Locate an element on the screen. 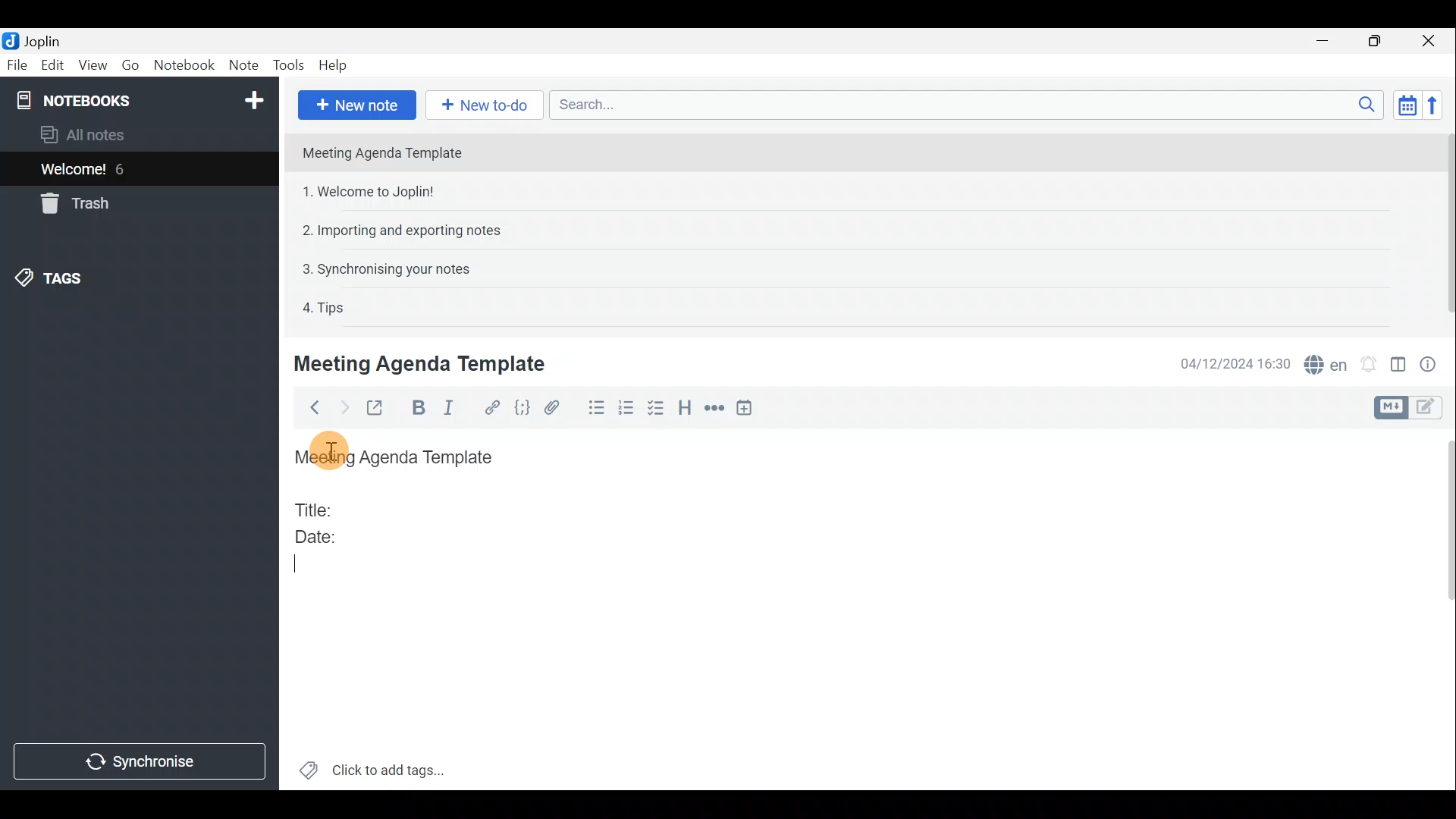 This screenshot has height=819, width=1456. Date: is located at coordinates (328, 535).